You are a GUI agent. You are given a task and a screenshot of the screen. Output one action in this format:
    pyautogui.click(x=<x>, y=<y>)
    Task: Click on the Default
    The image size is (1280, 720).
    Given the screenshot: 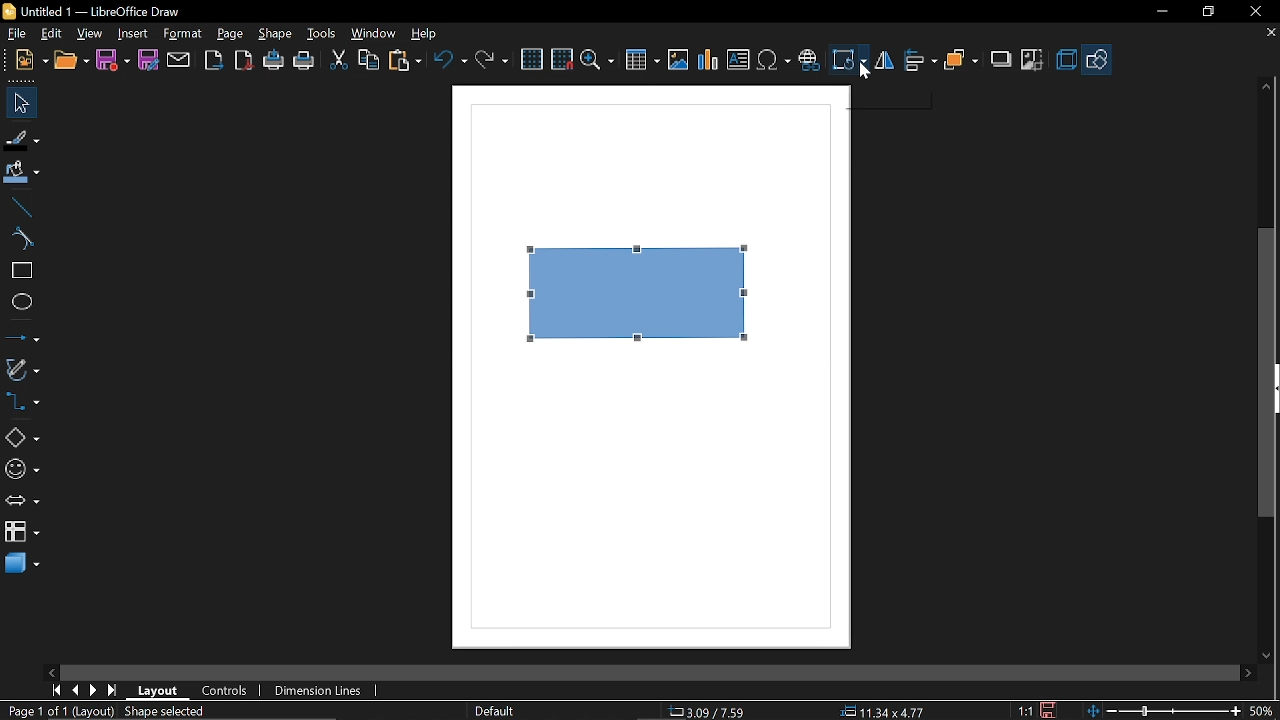 What is the action you would take?
    pyautogui.click(x=492, y=710)
    